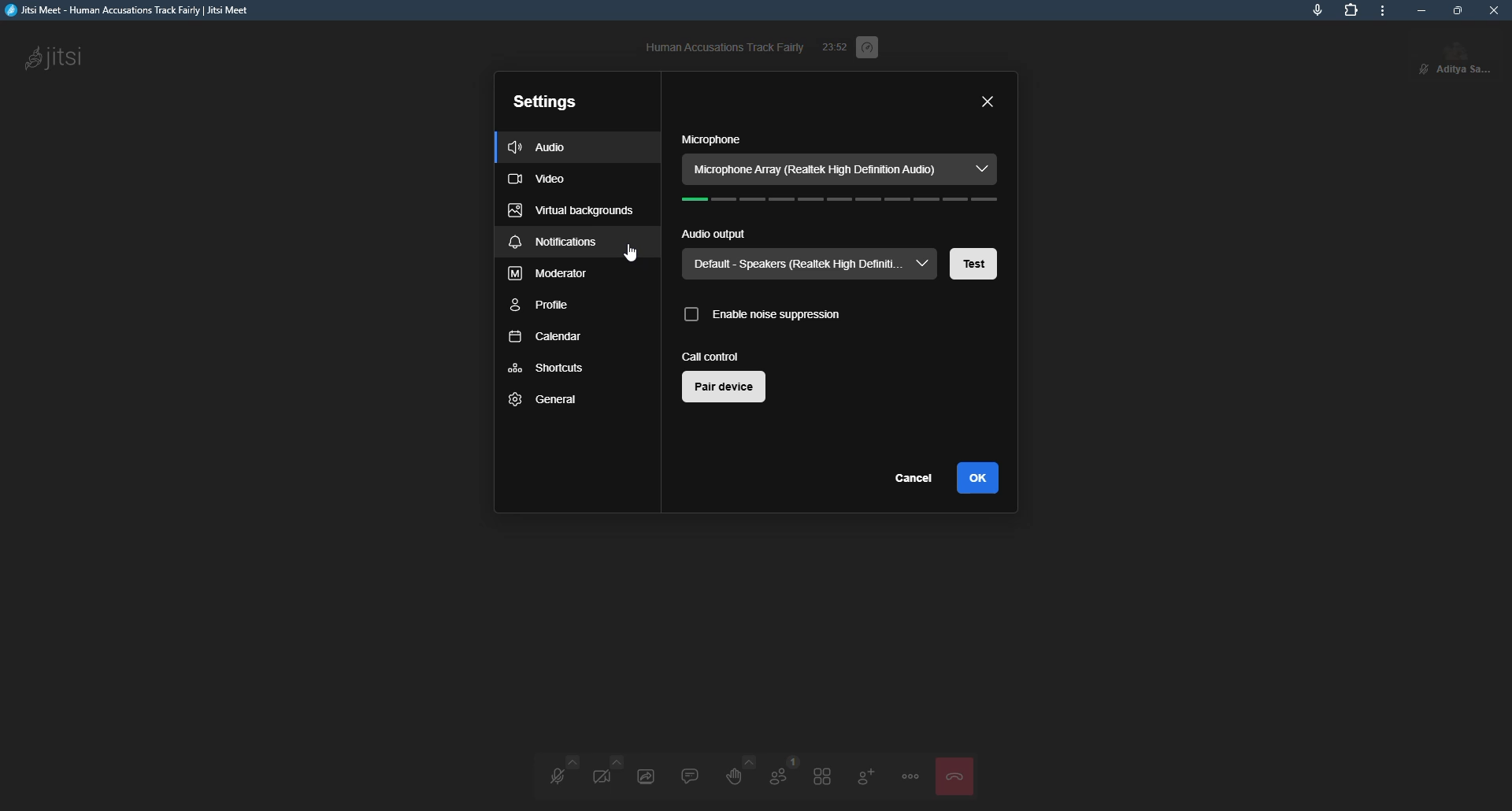  I want to click on jitsi, so click(54, 61).